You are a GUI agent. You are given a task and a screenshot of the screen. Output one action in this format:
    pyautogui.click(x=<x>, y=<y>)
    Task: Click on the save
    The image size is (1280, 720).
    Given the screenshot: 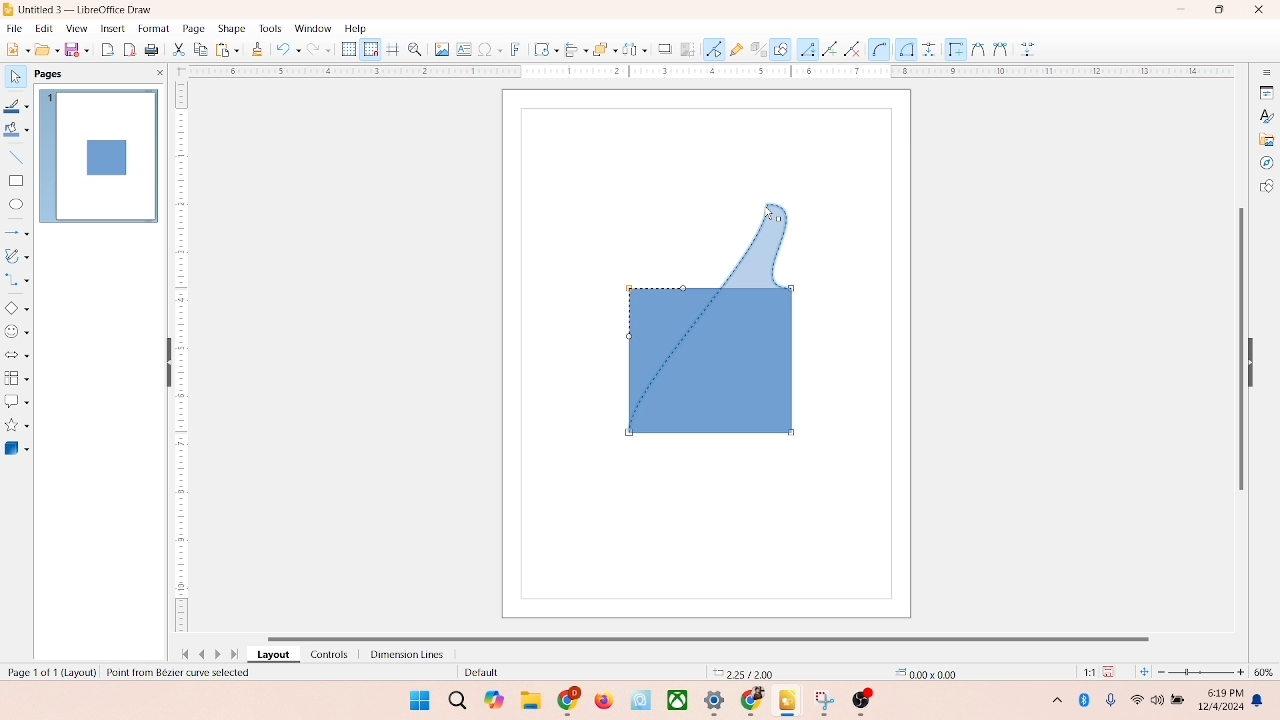 What is the action you would take?
    pyautogui.click(x=1112, y=671)
    